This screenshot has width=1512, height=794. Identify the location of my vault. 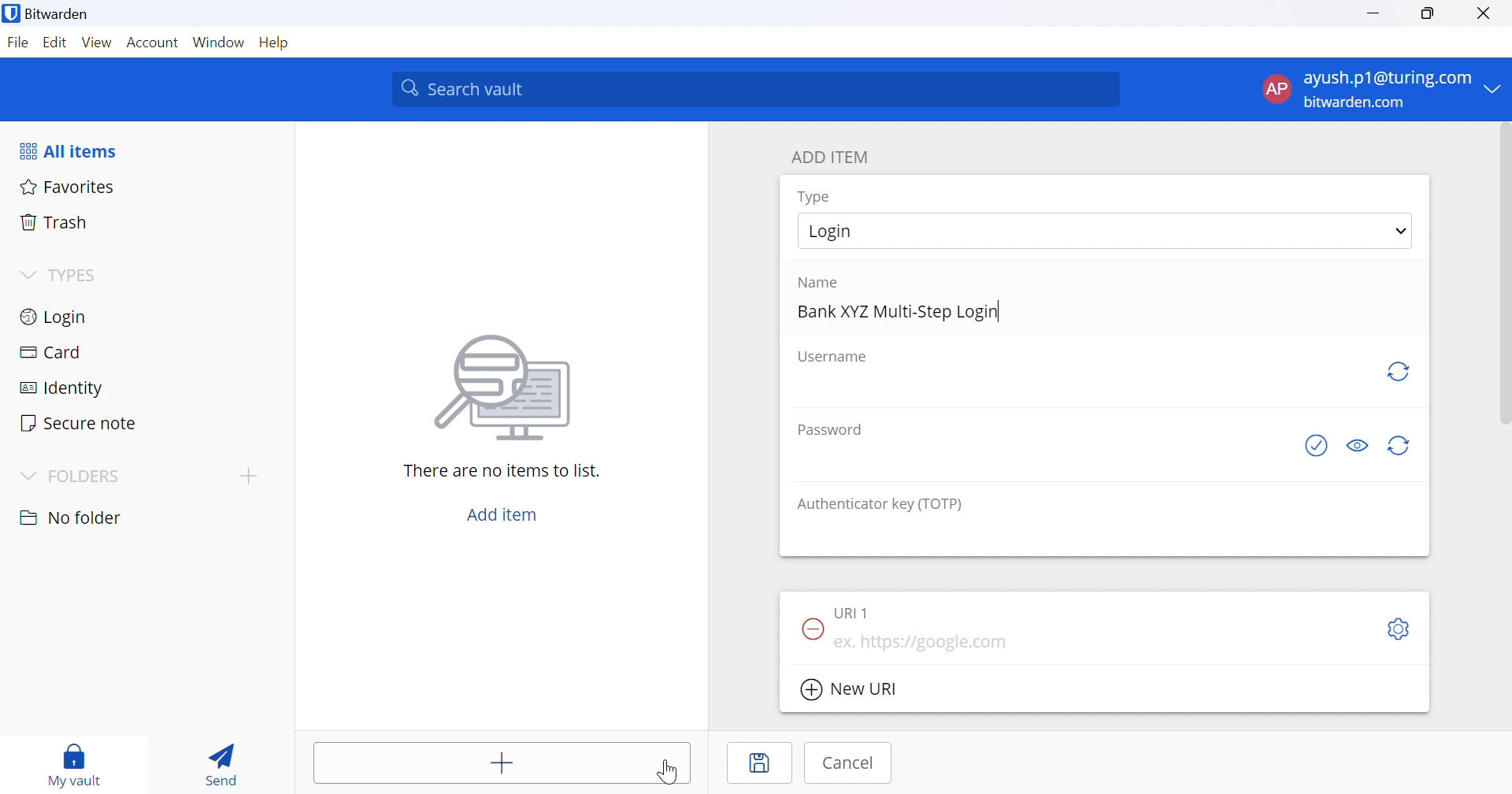
(79, 764).